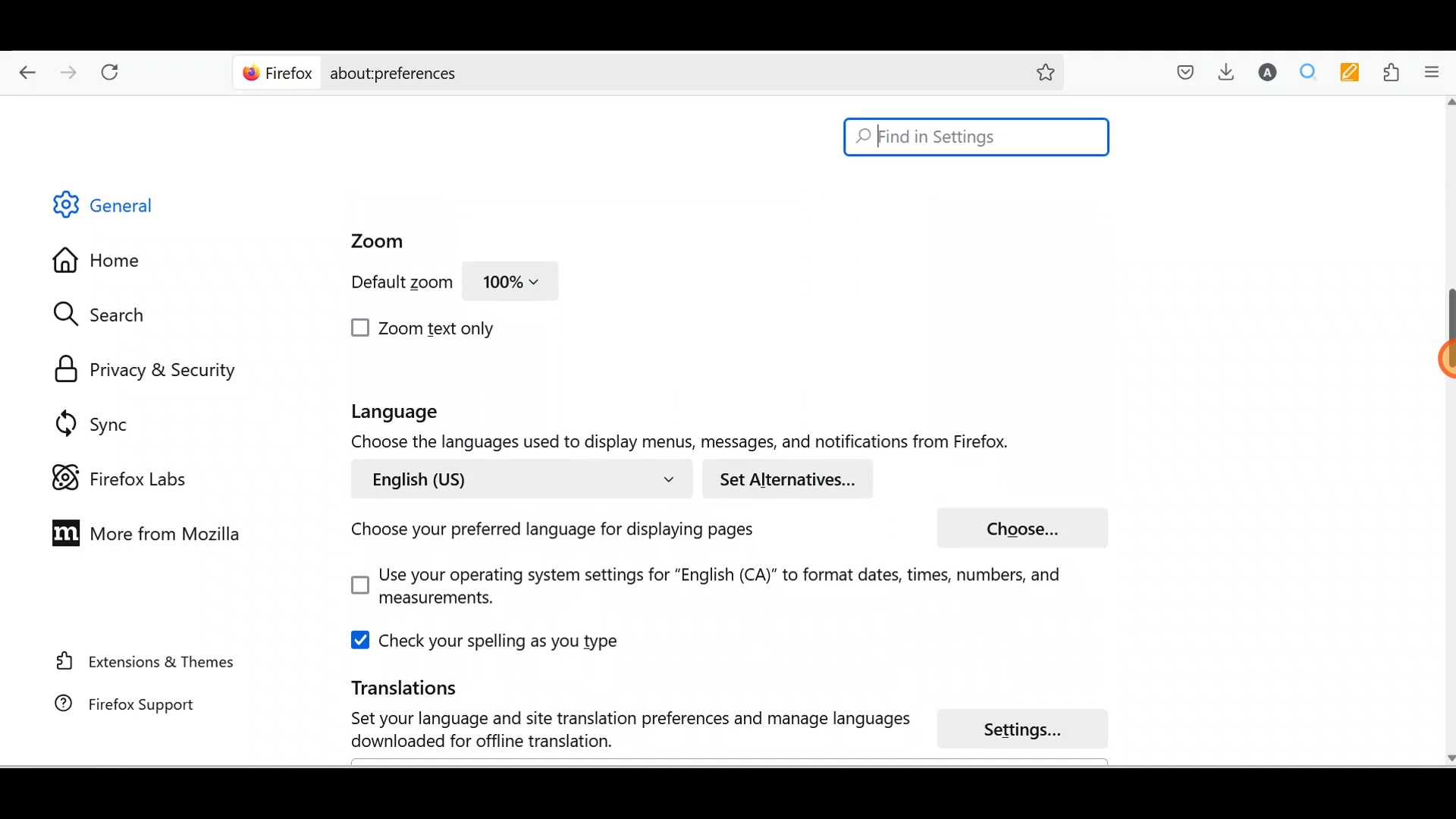  I want to click on Multiple search & highlight, so click(1309, 71).